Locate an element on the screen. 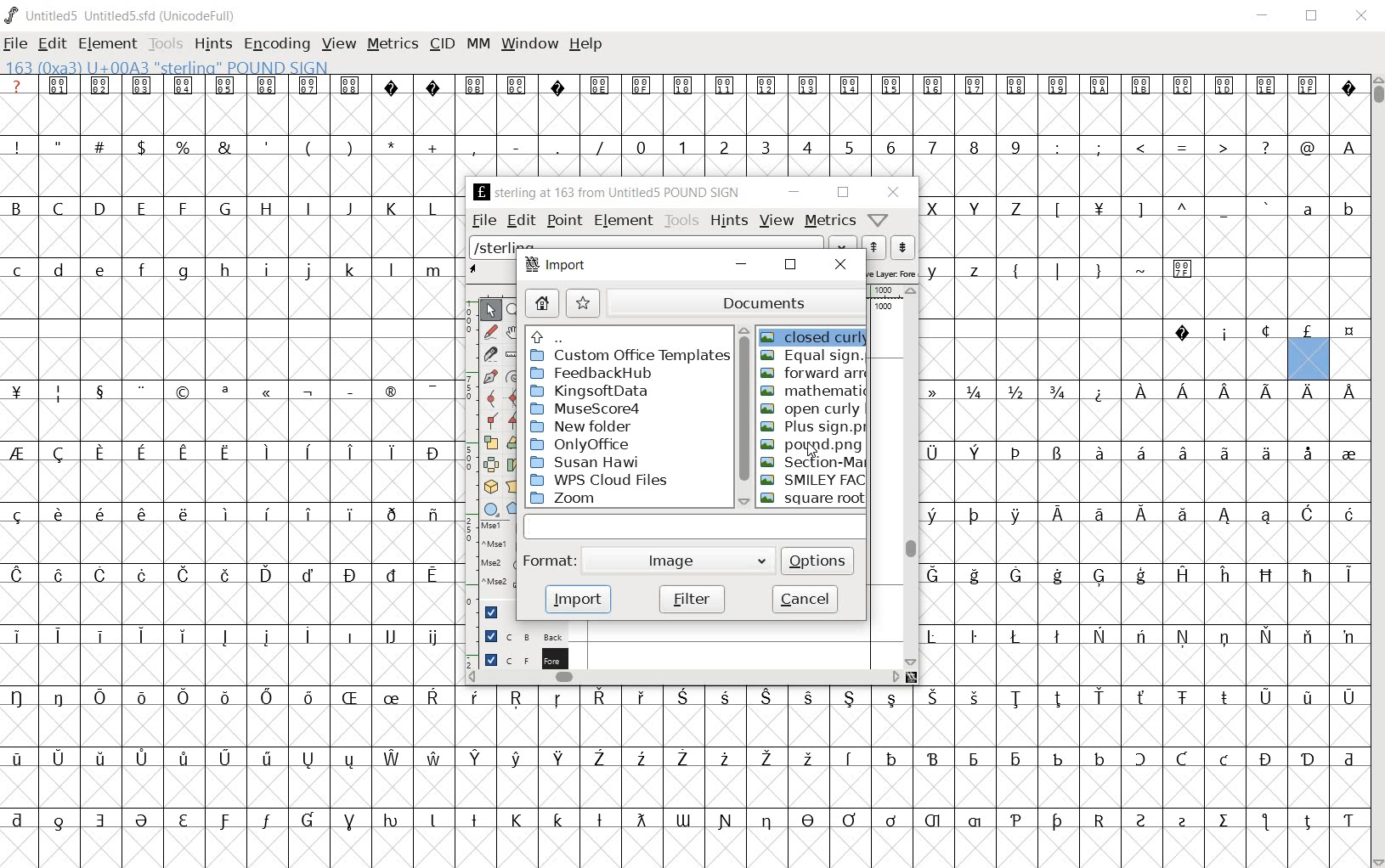 Image resolution: width=1385 pixels, height=868 pixels. ; is located at coordinates (1099, 149).